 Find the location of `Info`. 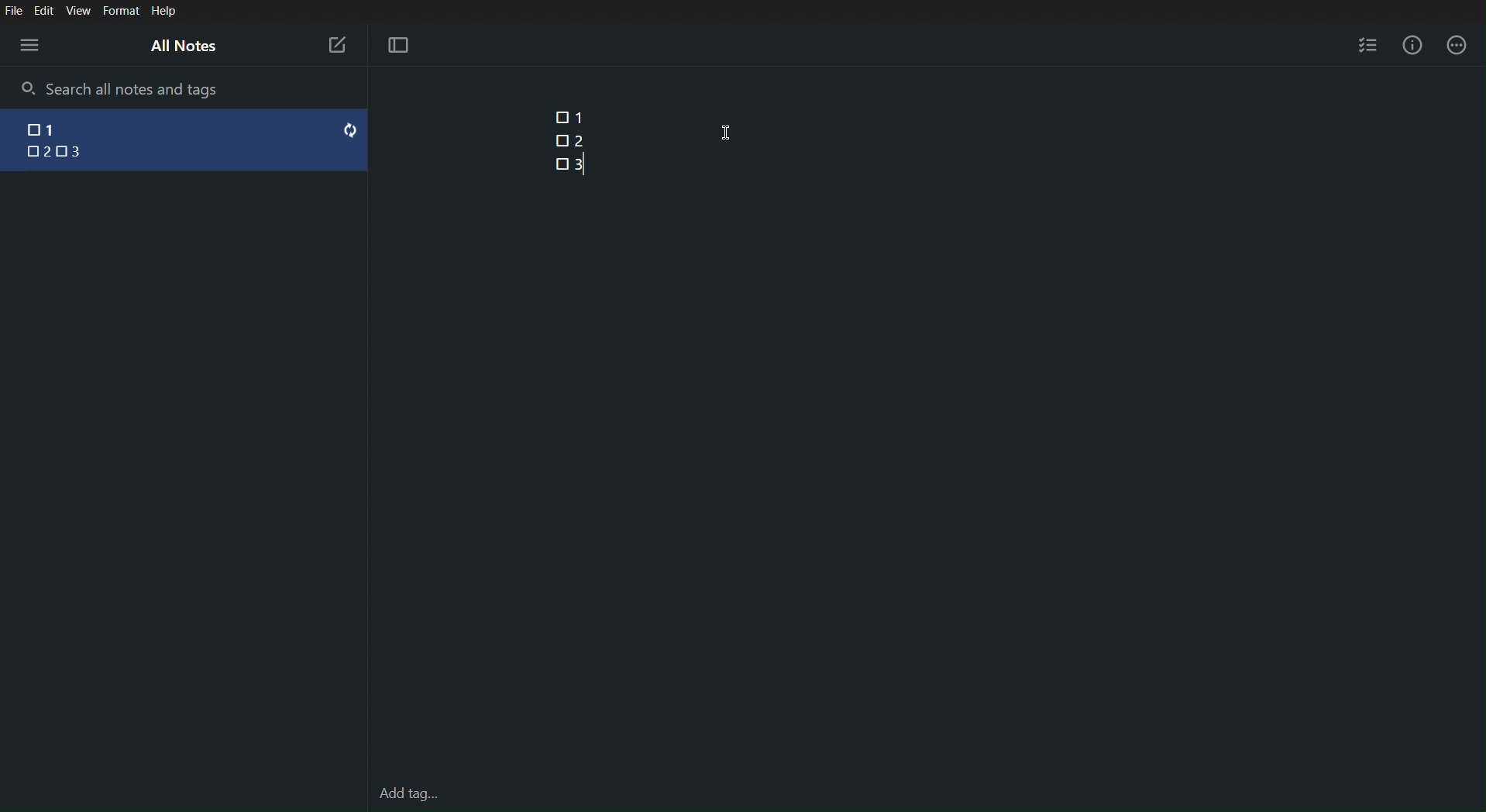

Info is located at coordinates (1416, 45).